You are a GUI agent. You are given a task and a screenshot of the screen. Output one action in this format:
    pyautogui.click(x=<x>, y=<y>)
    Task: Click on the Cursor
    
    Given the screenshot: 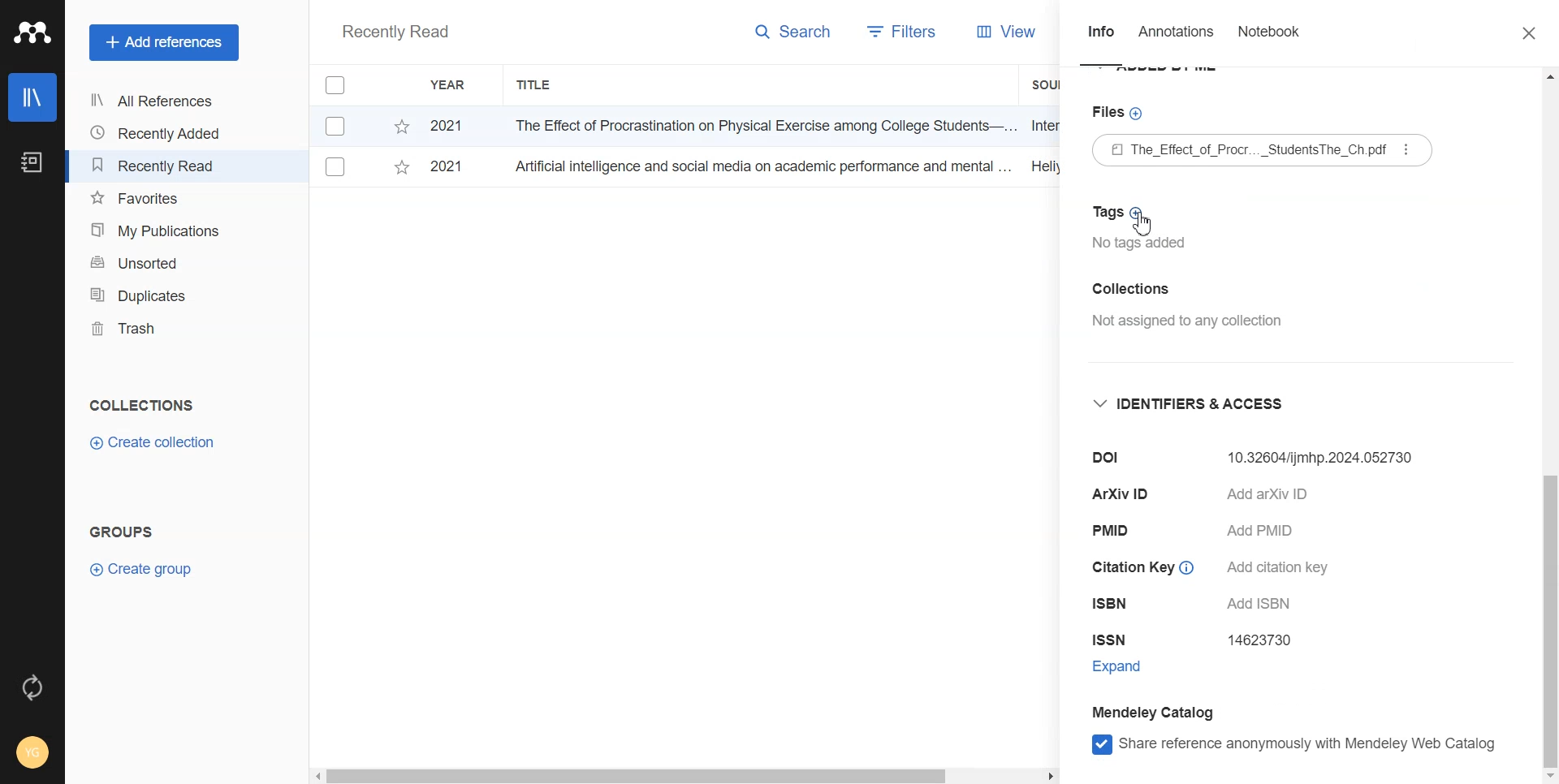 What is the action you would take?
    pyautogui.click(x=1149, y=225)
    